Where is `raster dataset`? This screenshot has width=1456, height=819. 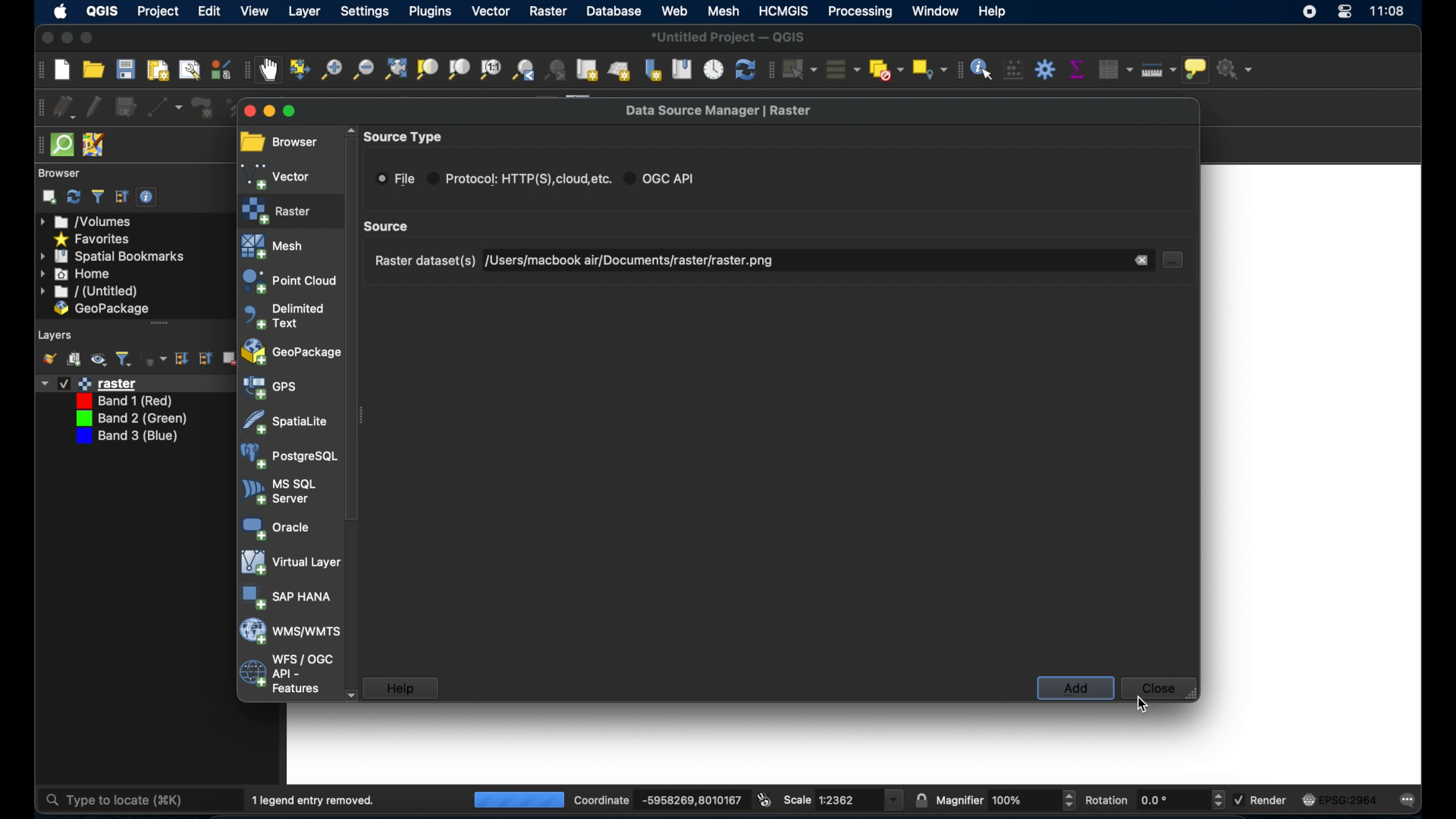
raster dataset is located at coordinates (422, 262).